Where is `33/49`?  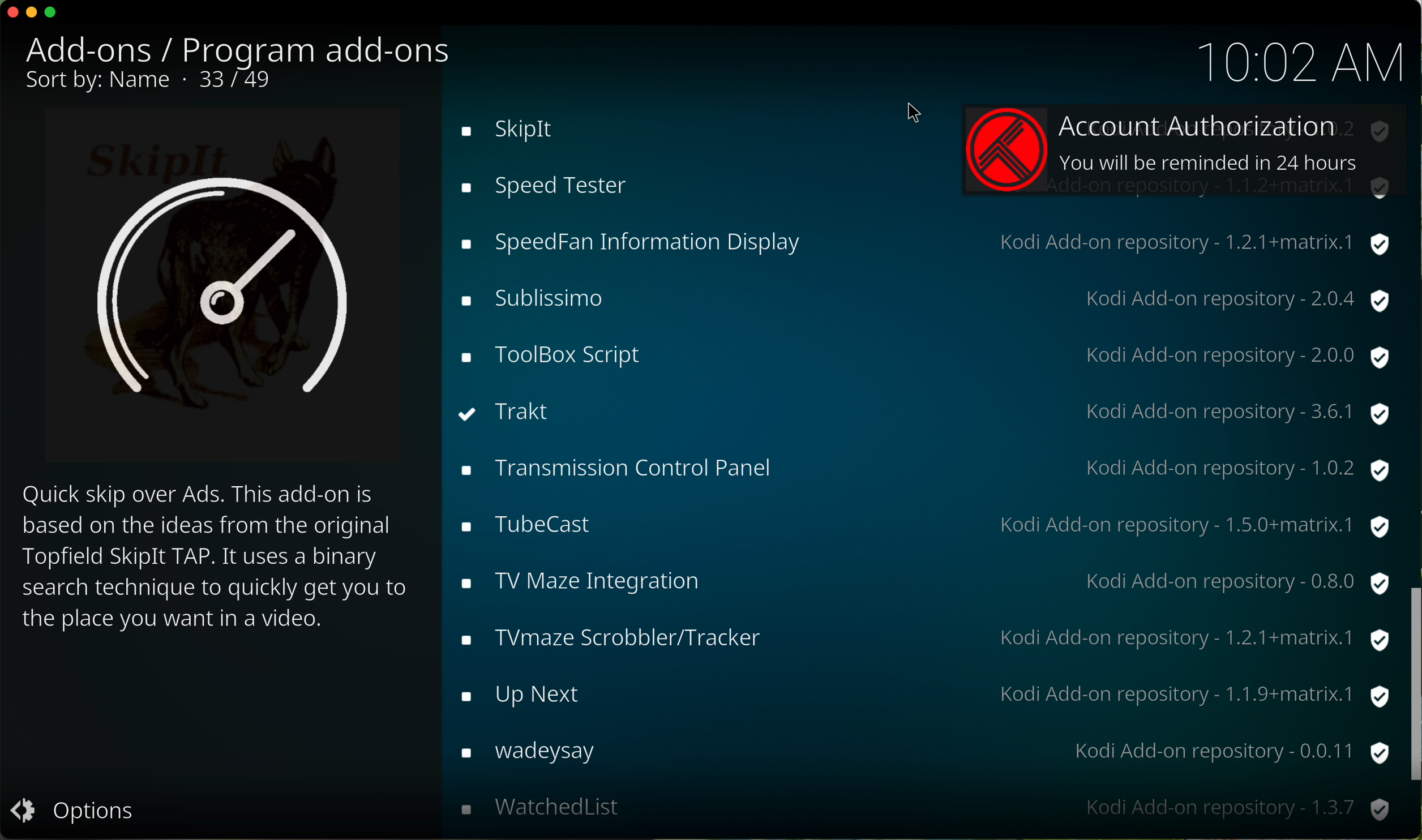 33/49 is located at coordinates (239, 79).